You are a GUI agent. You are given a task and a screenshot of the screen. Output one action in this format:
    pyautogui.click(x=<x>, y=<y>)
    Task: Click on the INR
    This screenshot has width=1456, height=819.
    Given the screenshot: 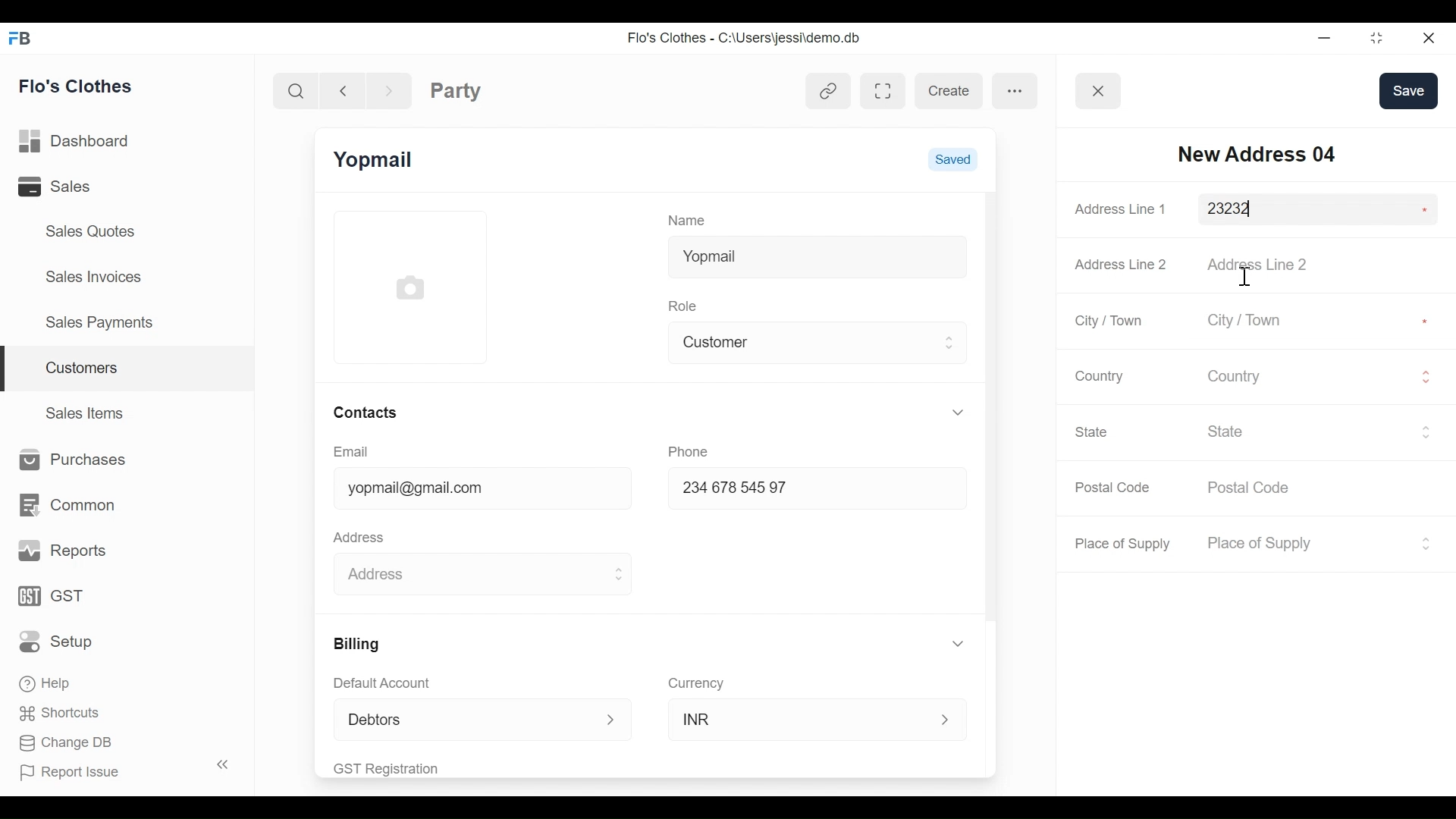 What is the action you would take?
    pyautogui.click(x=801, y=718)
    